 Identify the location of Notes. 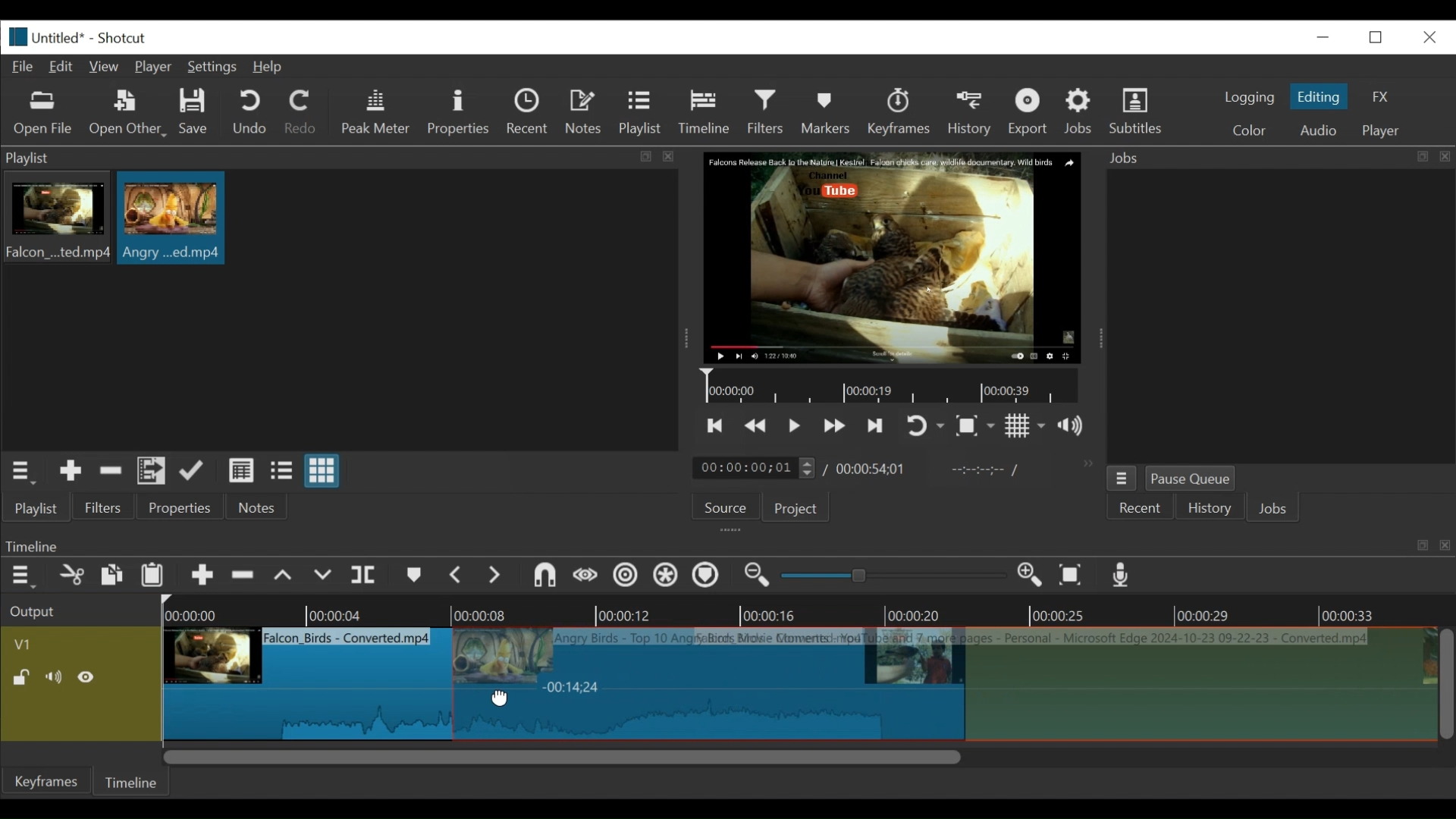
(586, 112).